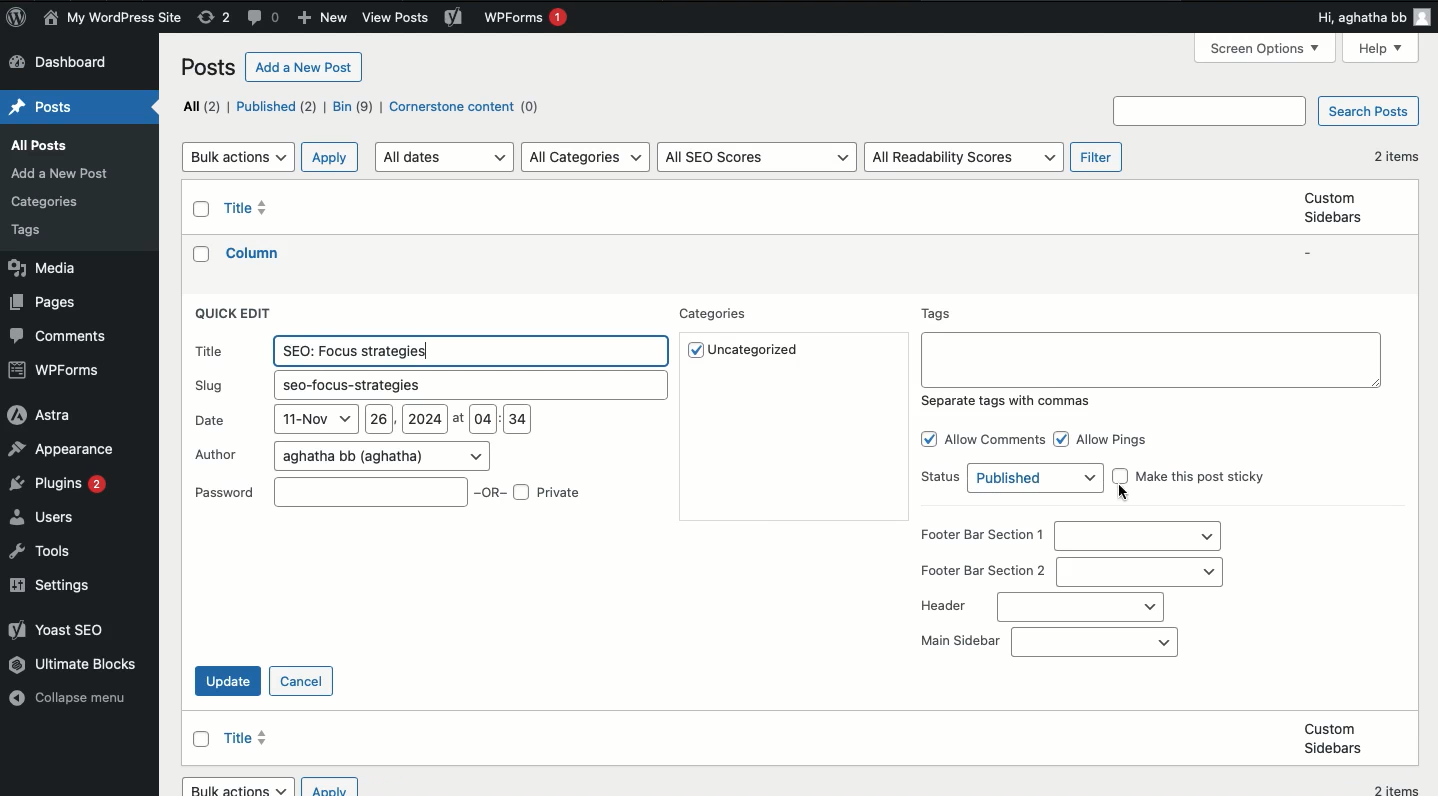 Image resolution: width=1438 pixels, height=796 pixels. Describe the element at coordinates (1099, 158) in the screenshot. I see `Filter` at that location.